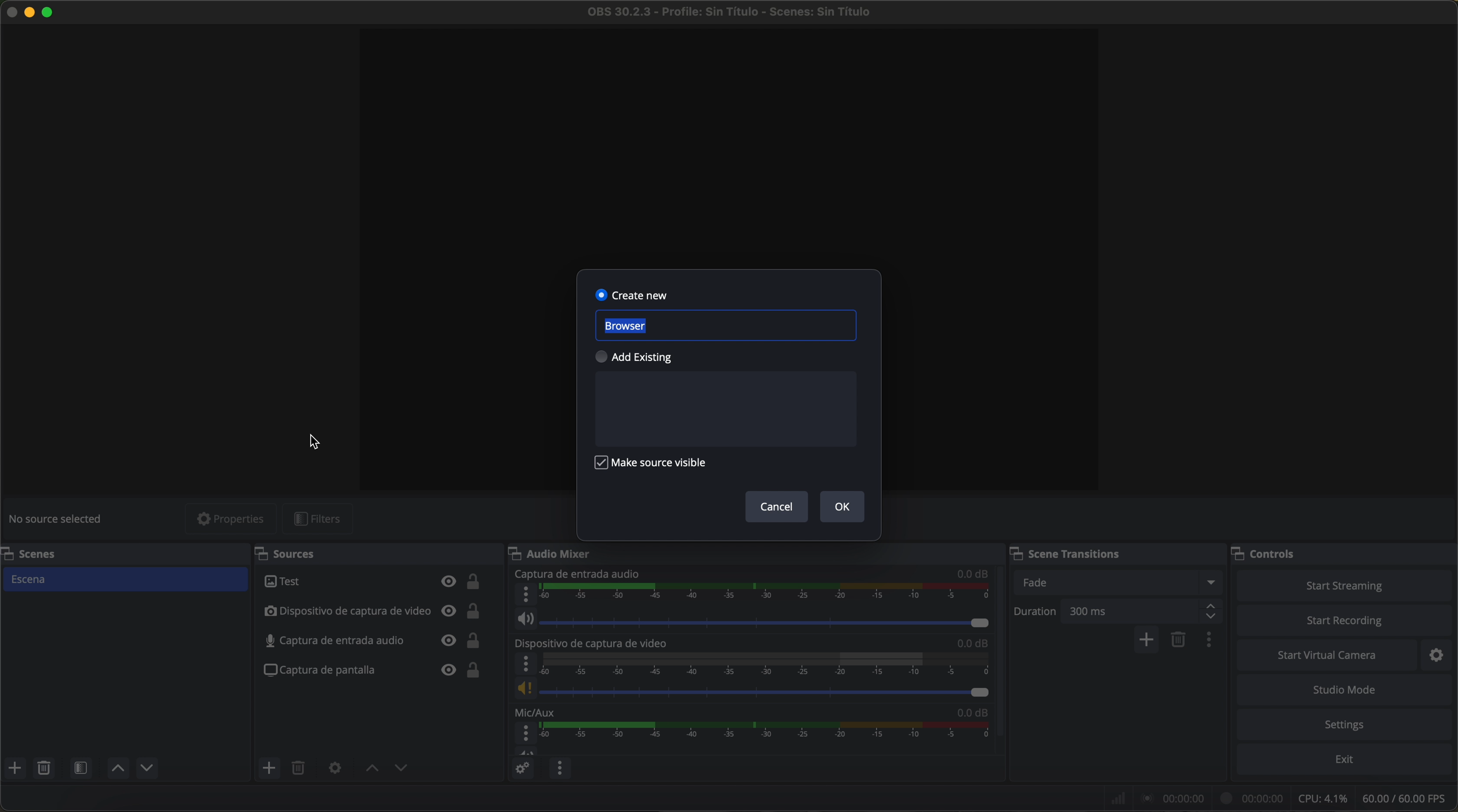  What do you see at coordinates (1345, 585) in the screenshot?
I see `start streaming` at bounding box center [1345, 585].